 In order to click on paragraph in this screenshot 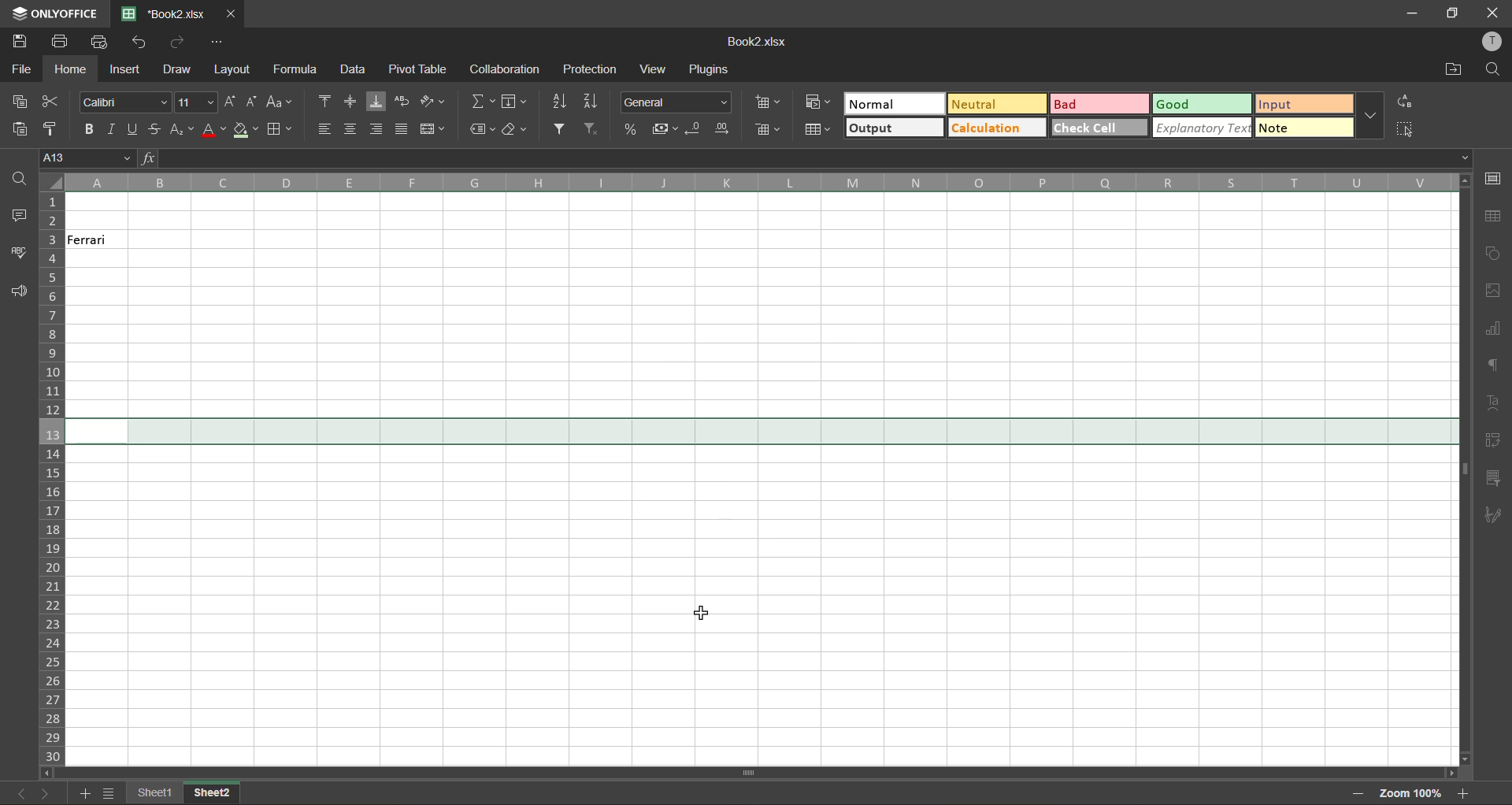, I will do `click(1494, 369)`.